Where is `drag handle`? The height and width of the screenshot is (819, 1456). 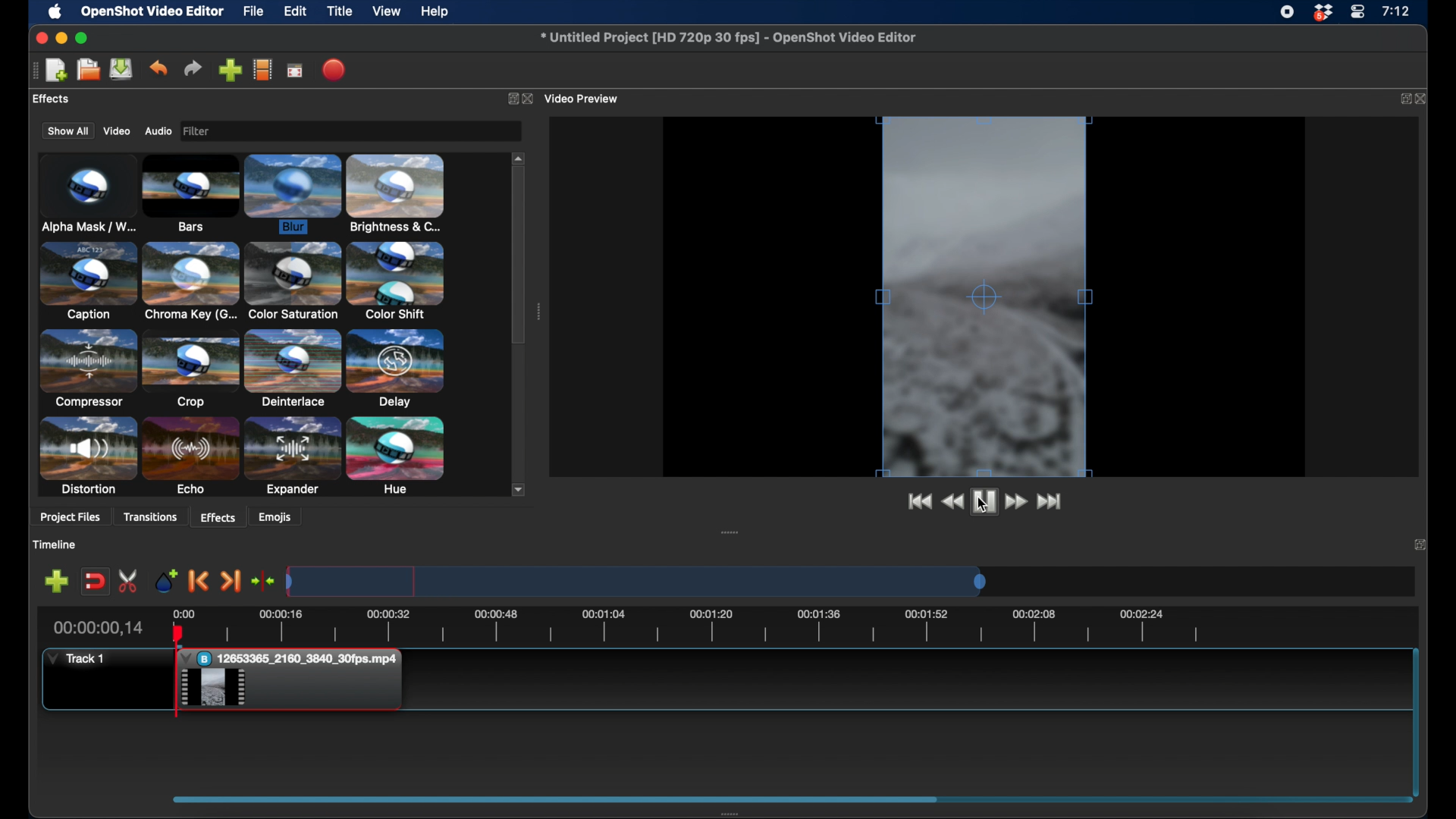
drag handle is located at coordinates (730, 532).